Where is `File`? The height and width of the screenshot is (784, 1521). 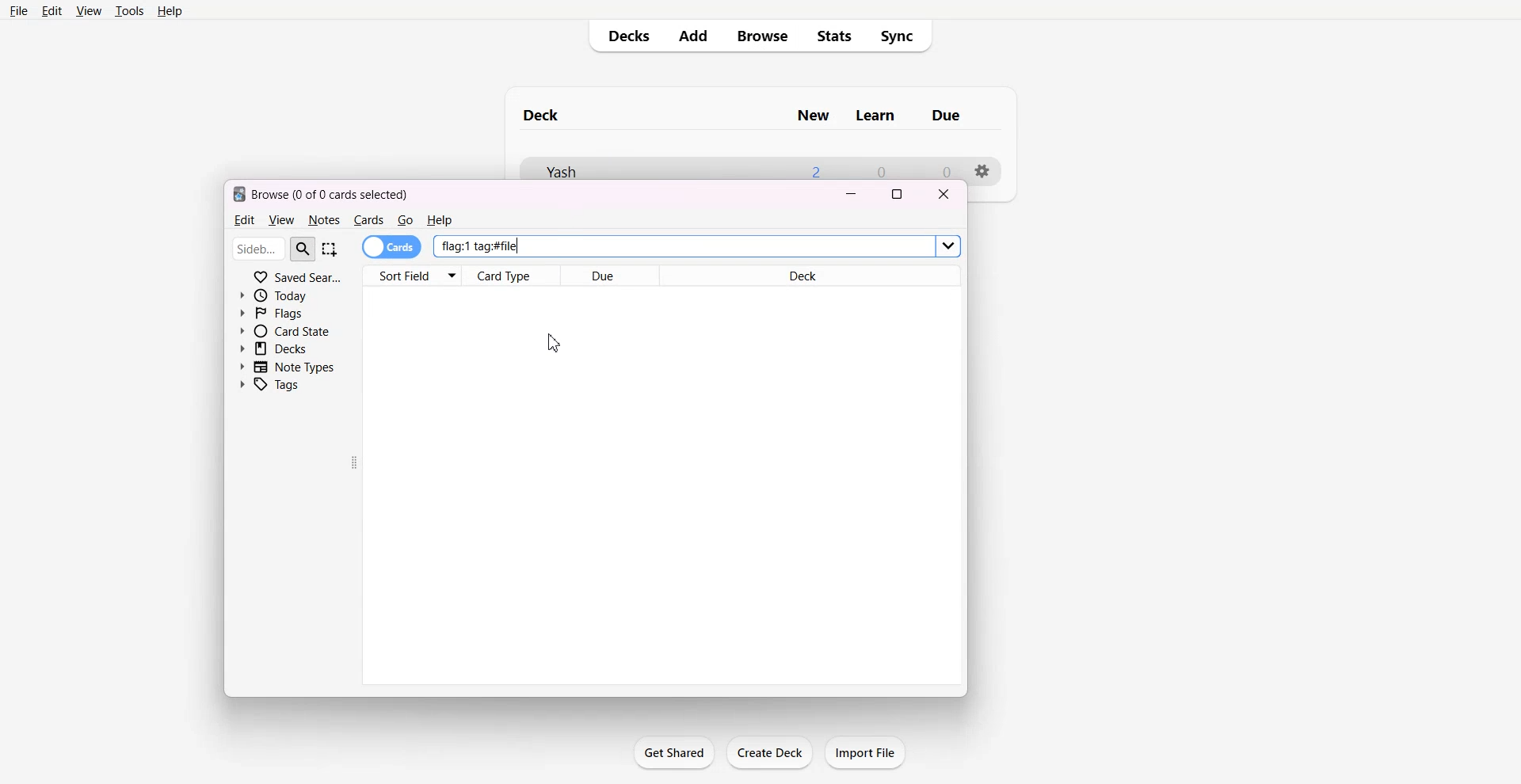 File is located at coordinates (20, 10).